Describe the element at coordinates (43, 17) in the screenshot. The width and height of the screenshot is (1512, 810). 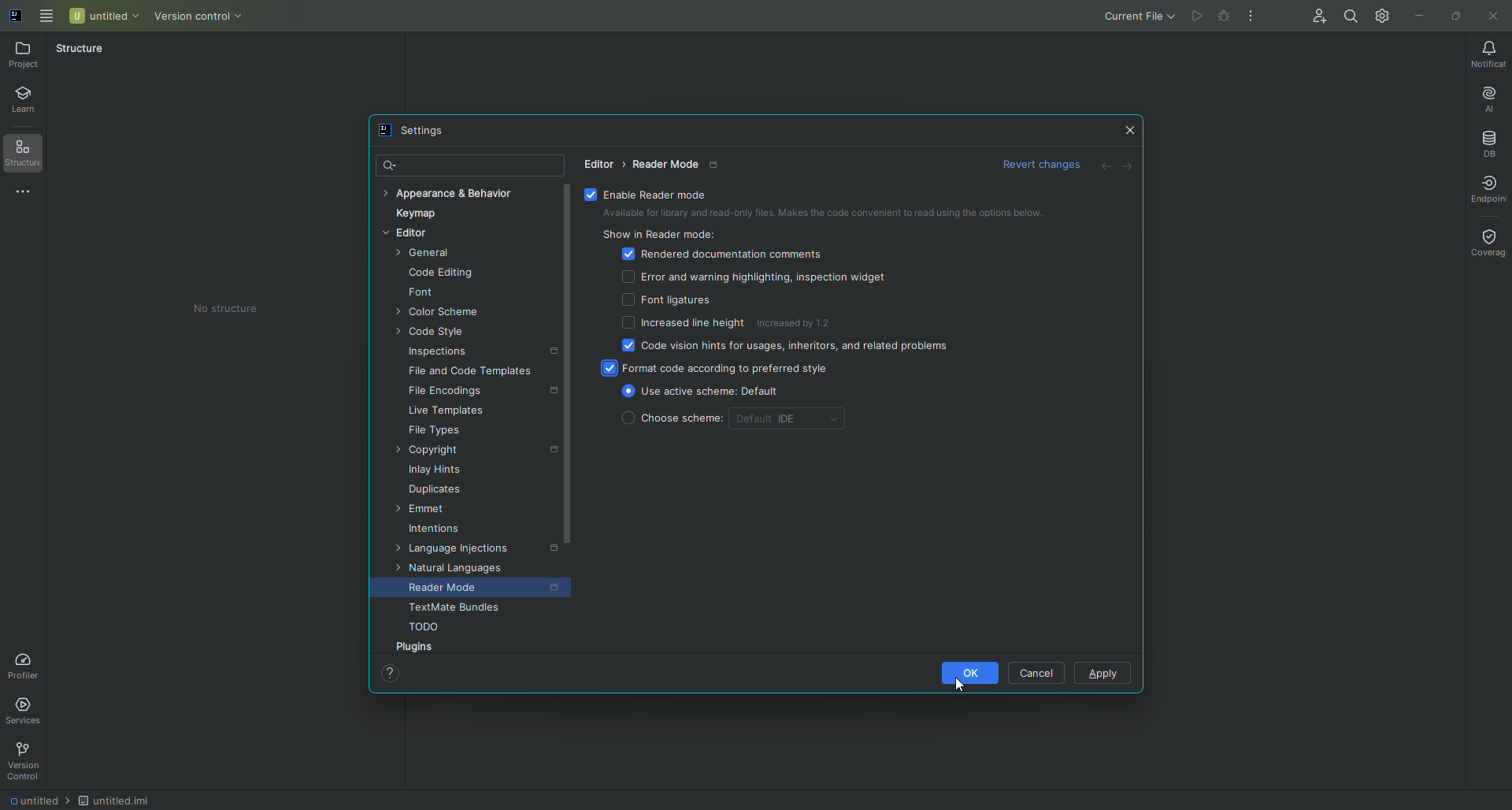
I see `Main Menu` at that location.